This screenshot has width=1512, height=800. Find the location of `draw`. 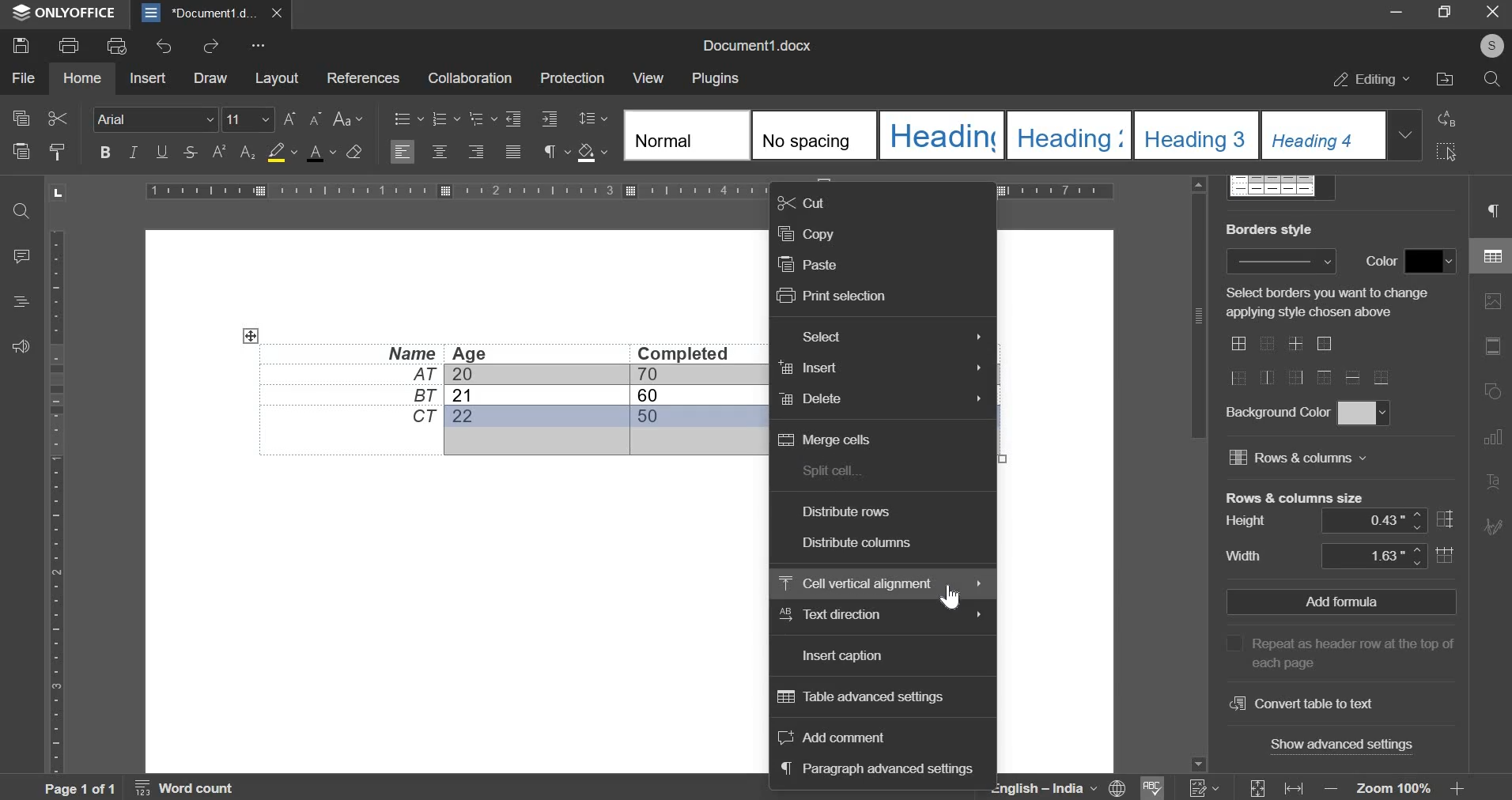

draw is located at coordinates (210, 77).